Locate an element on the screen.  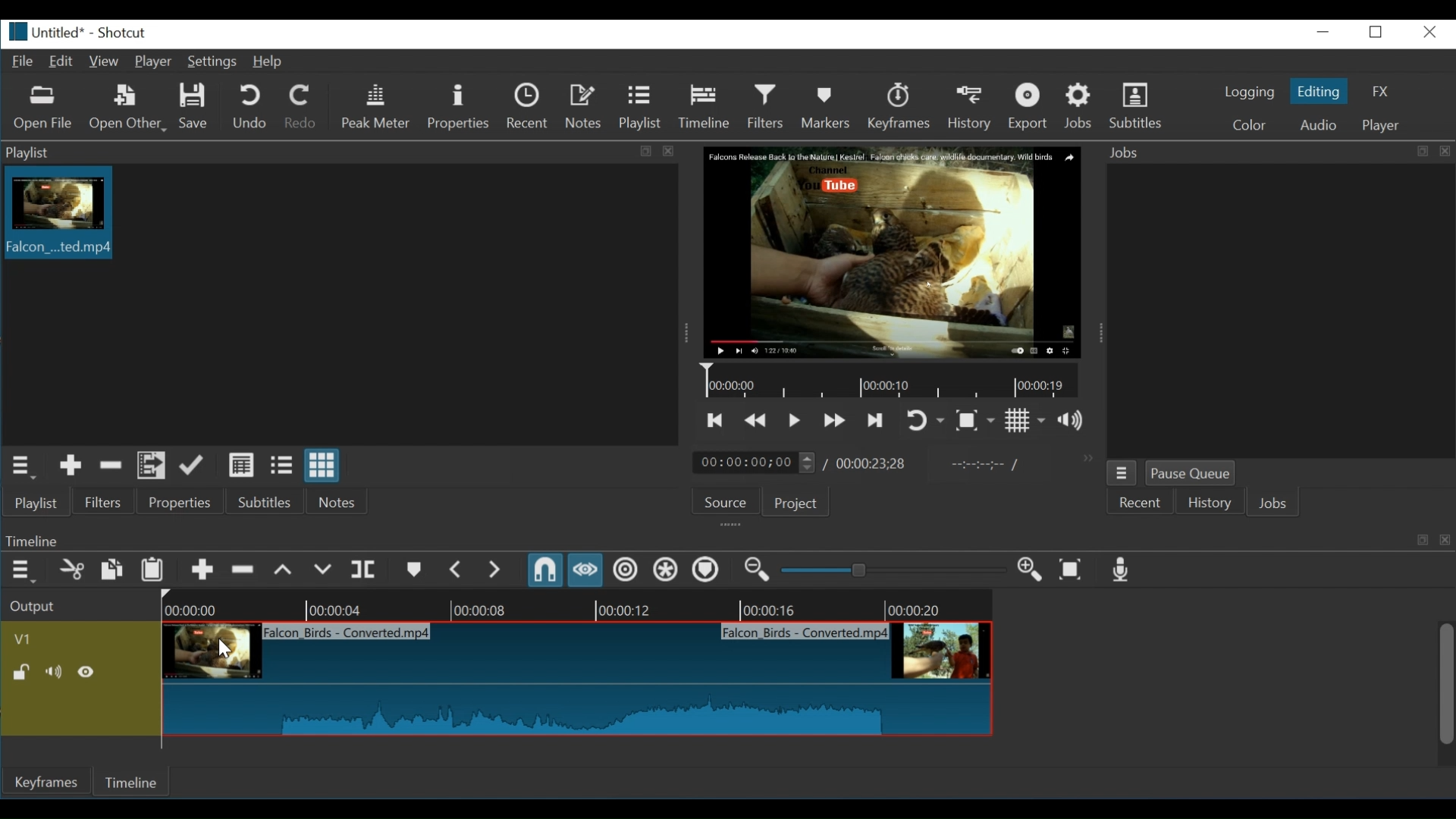
Restore is located at coordinates (1377, 32).